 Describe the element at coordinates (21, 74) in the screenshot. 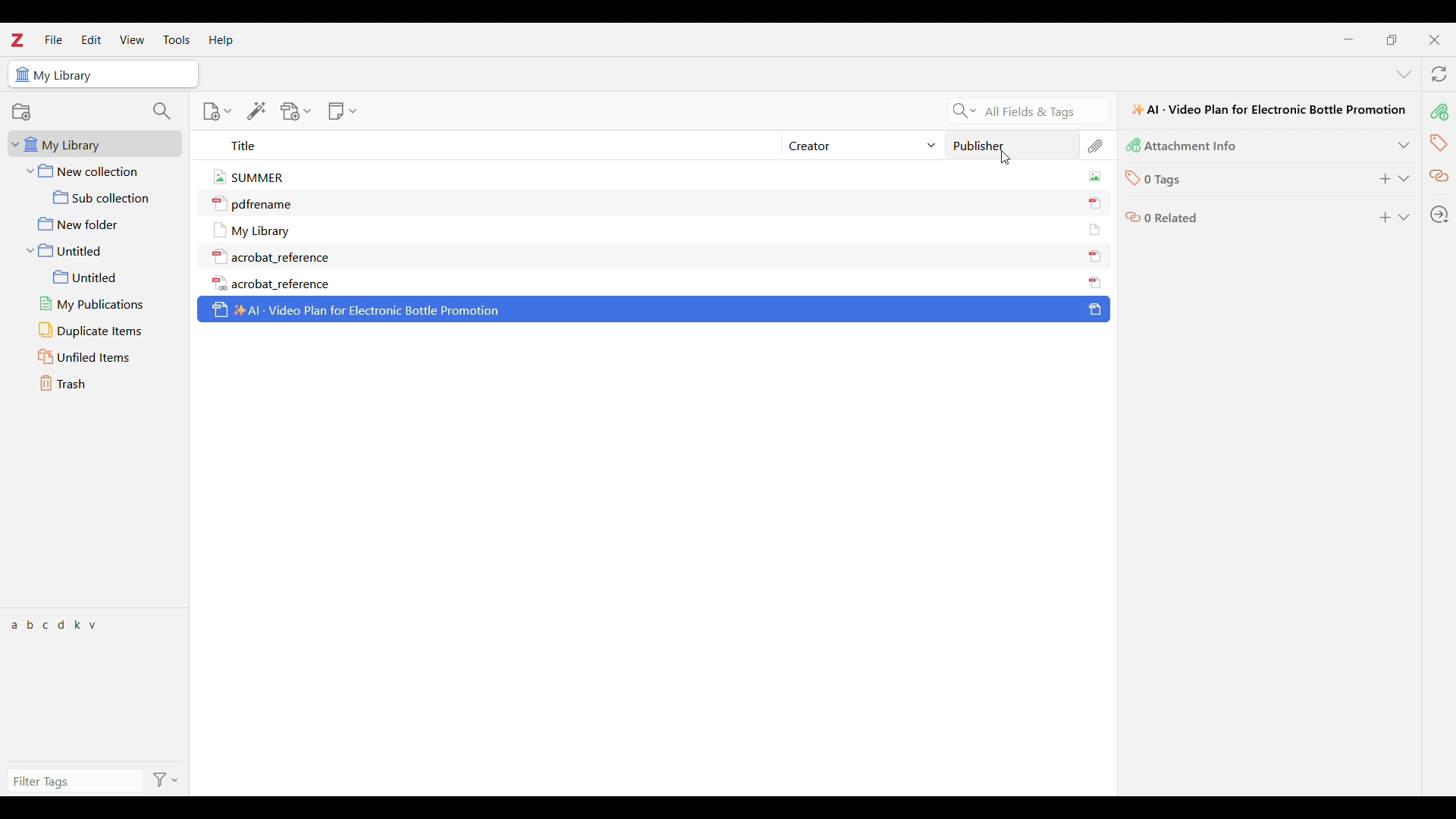

I see `icon` at that location.